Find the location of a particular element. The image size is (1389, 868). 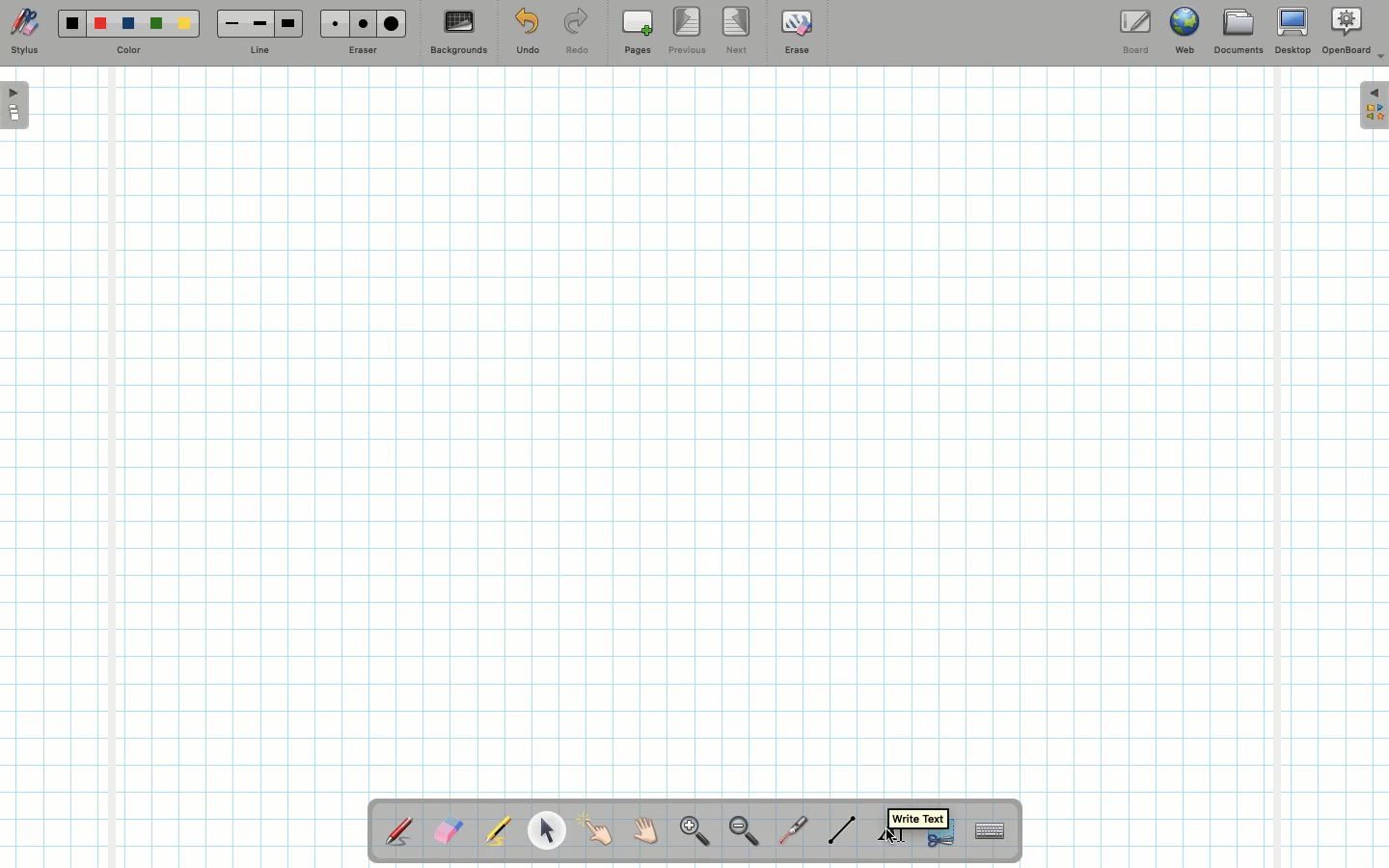

Backgrounds is located at coordinates (458, 33).